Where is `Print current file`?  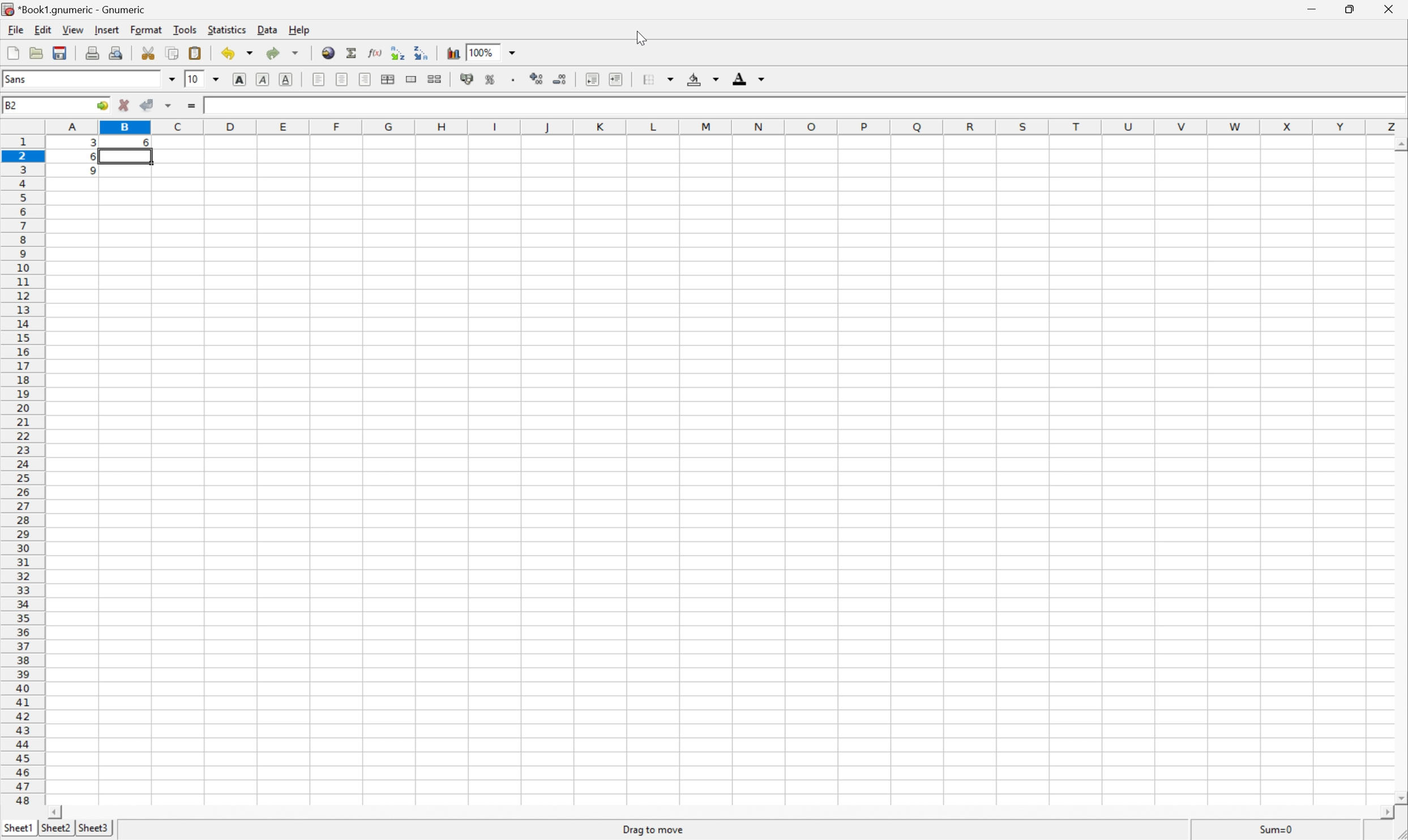
Print current file is located at coordinates (93, 52).